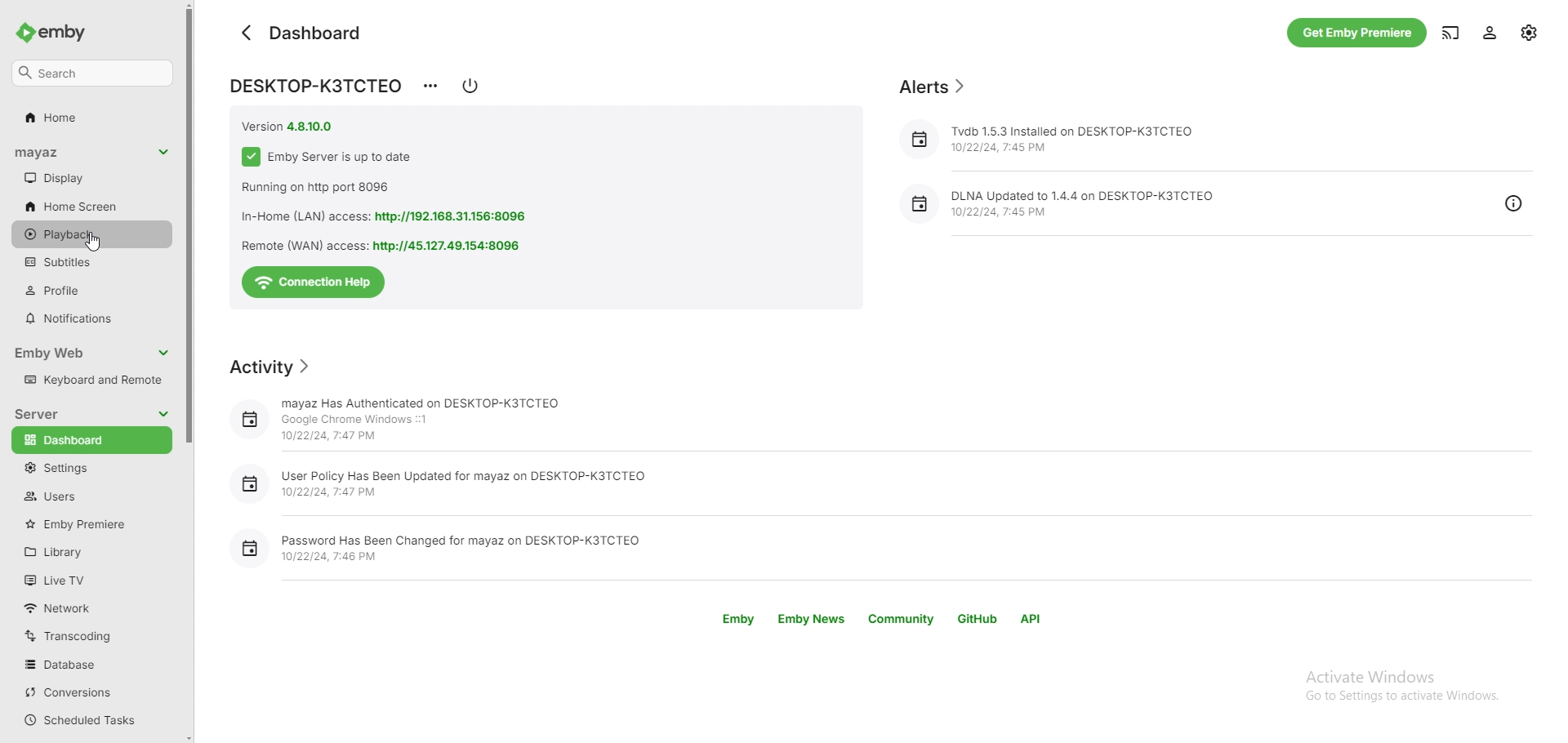 The image size is (1568, 743). I want to click on community, so click(900, 620).